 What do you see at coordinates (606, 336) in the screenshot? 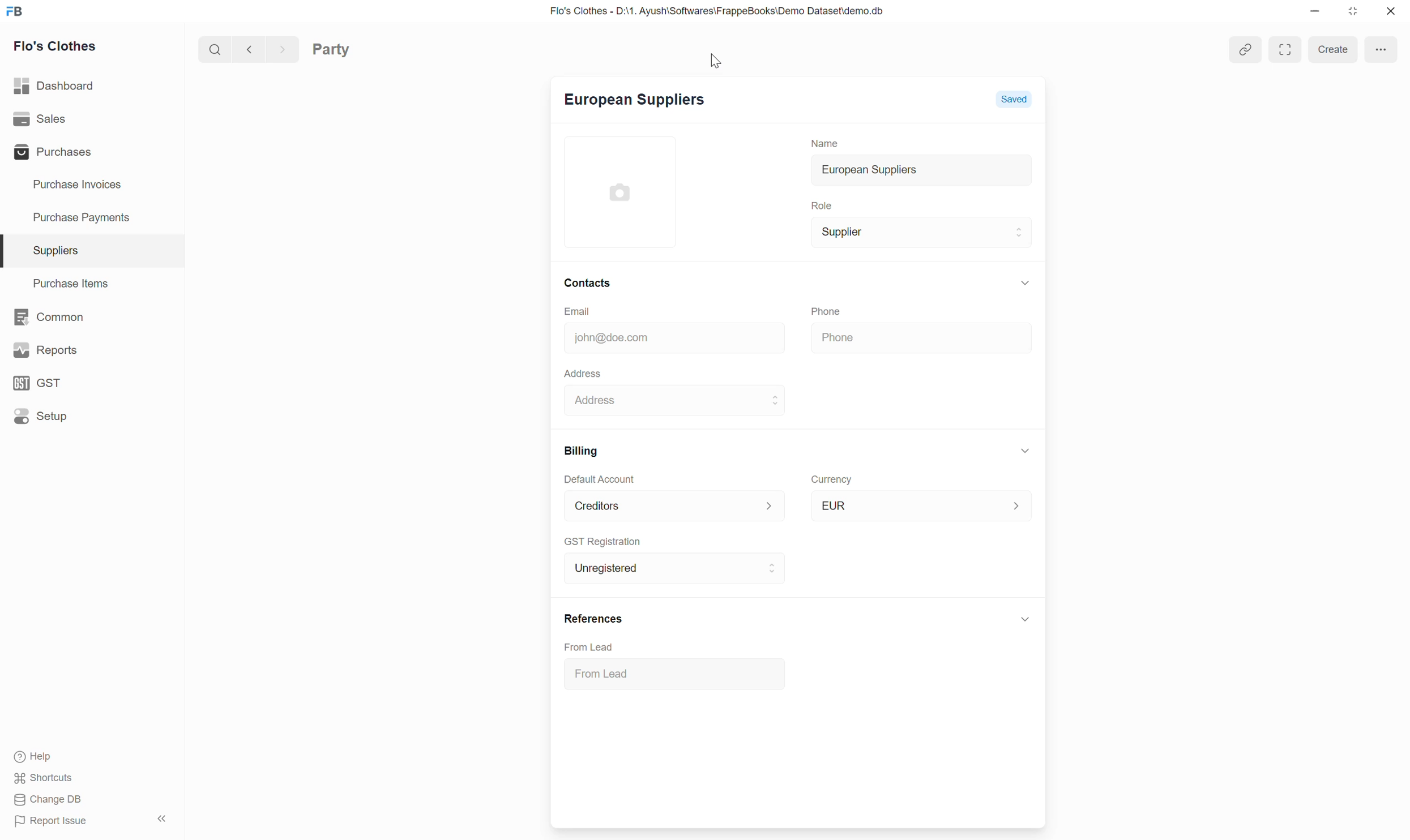
I see `john@doe.com` at bounding box center [606, 336].